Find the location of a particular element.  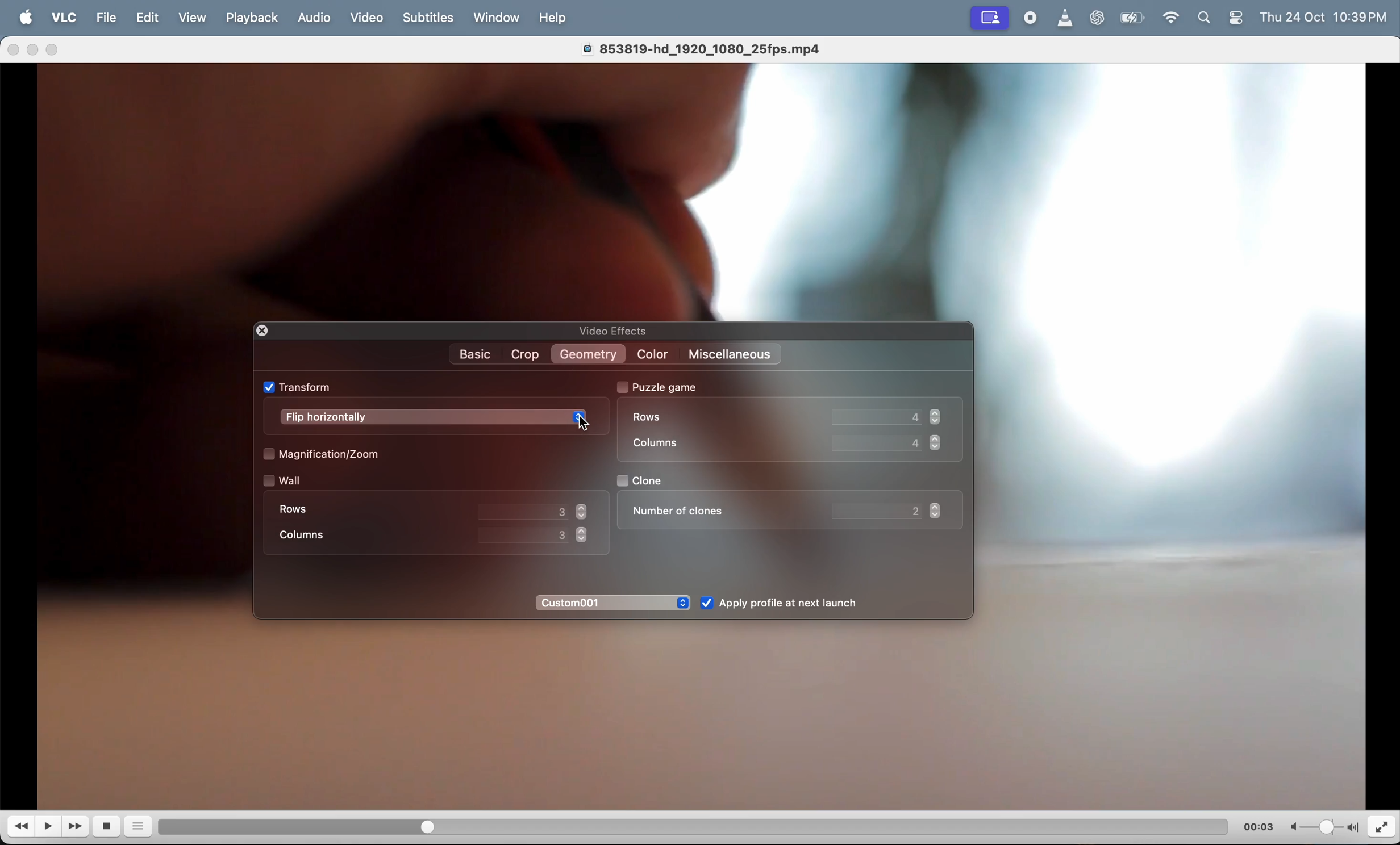

duration is located at coordinates (678, 825).